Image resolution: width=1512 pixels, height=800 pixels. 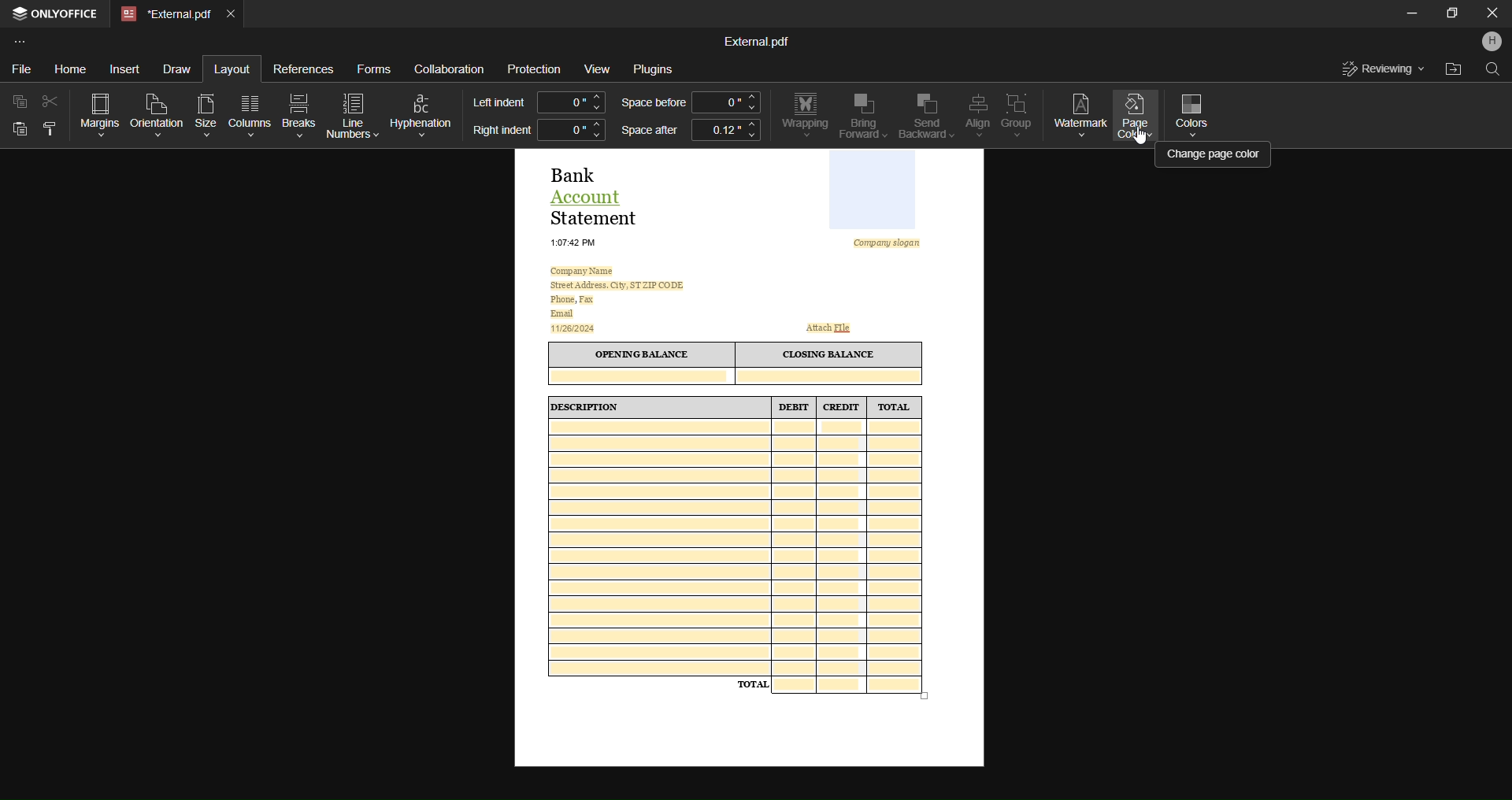 What do you see at coordinates (1384, 69) in the screenshot?
I see `Reveiwing` at bounding box center [1384, 69].